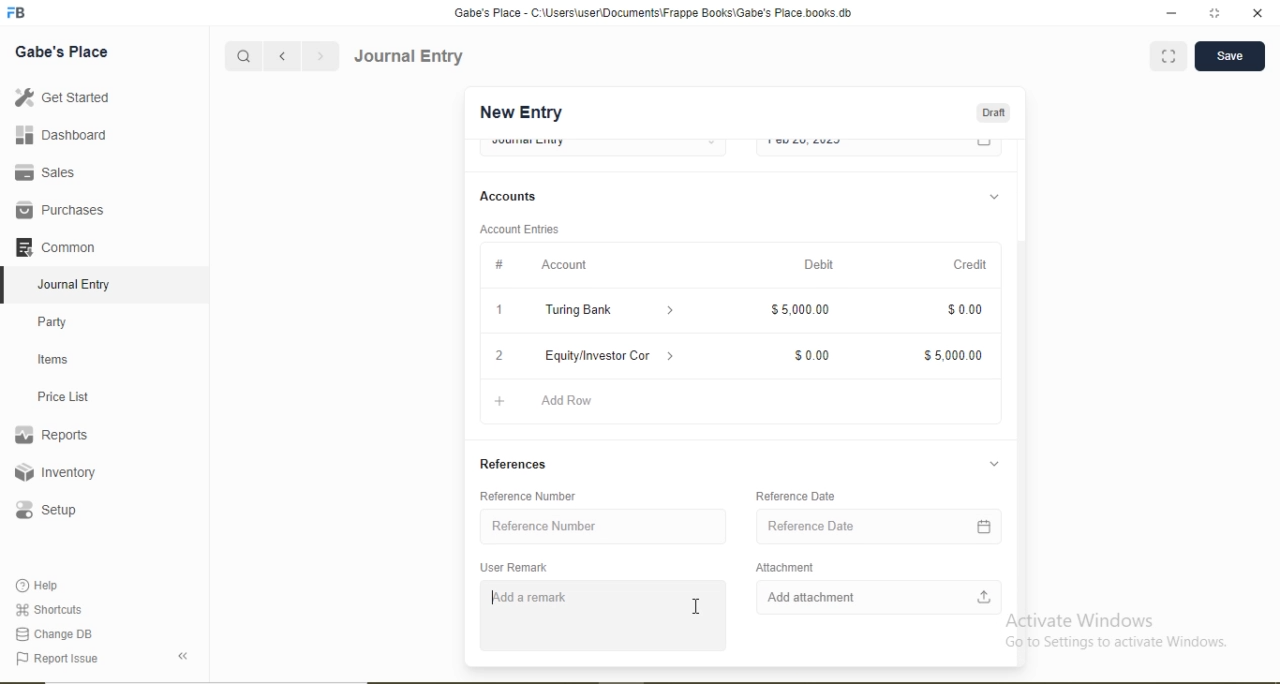  I want to click on Forward, so click(321, 56).